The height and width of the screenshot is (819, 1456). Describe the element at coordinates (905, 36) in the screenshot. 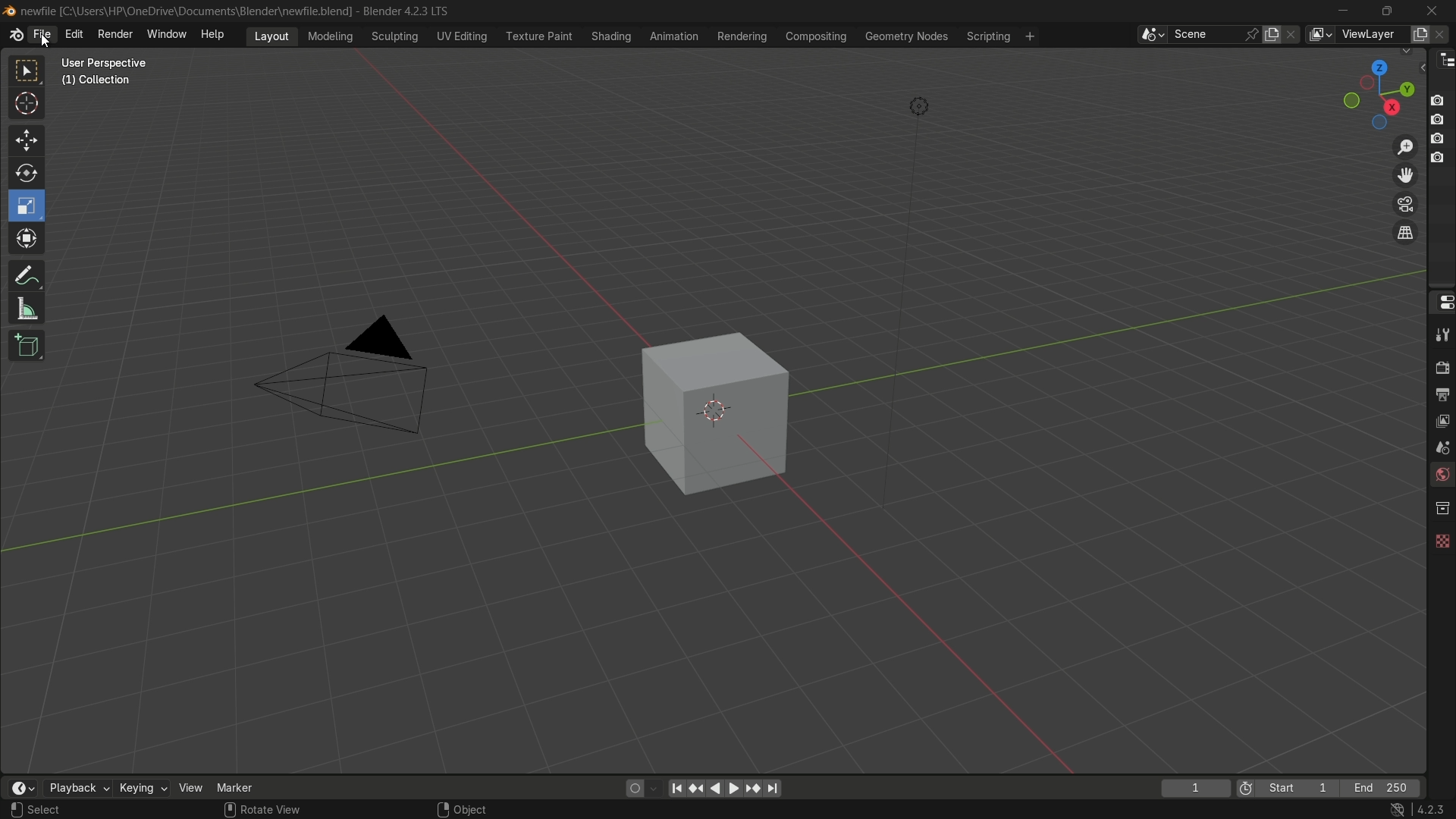

I see `geometry nodes menu` at that location.